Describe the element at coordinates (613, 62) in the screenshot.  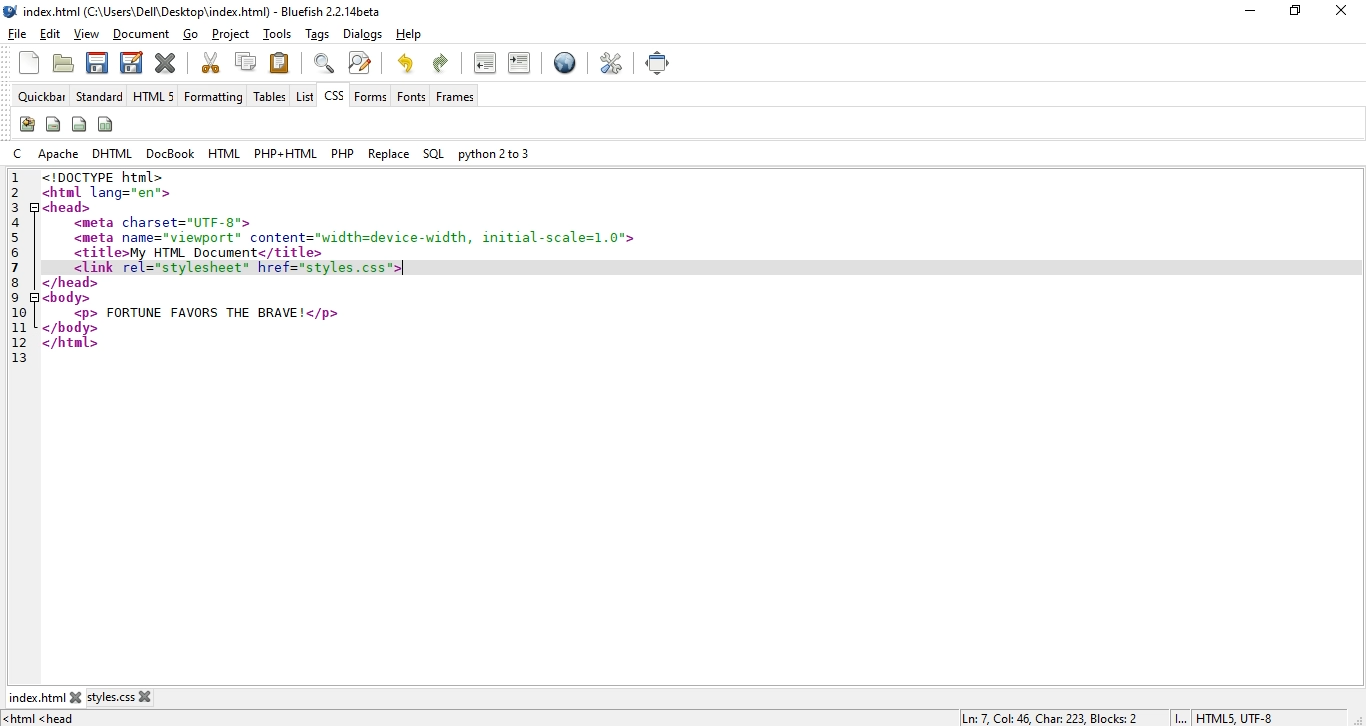
I see `edit preferences` at that location.